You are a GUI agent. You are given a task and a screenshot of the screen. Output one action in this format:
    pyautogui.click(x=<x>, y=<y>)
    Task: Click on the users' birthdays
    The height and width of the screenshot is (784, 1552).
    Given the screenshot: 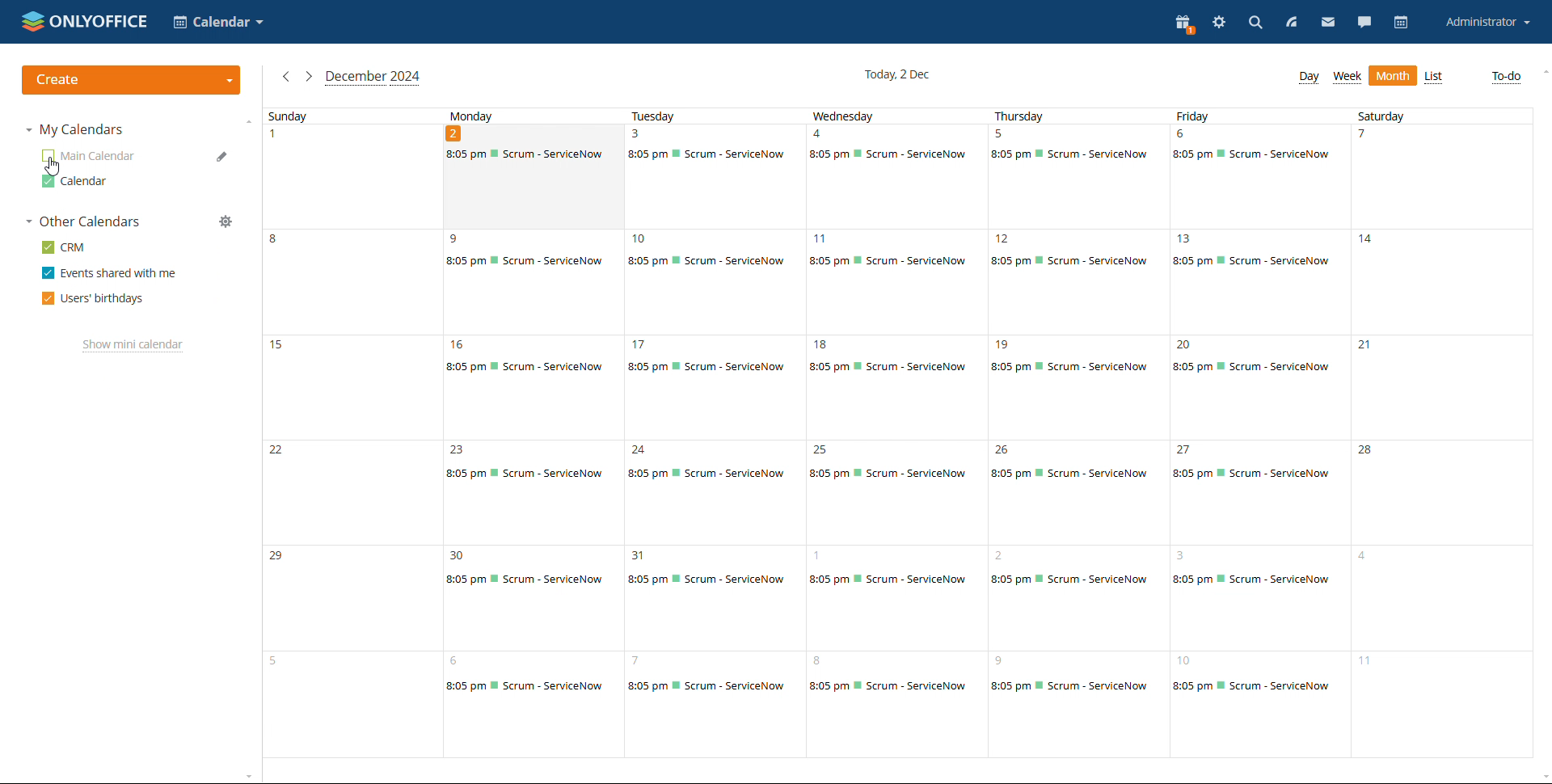 What is the action you would take?
    pyautogui.click(x=95, y=297)
    